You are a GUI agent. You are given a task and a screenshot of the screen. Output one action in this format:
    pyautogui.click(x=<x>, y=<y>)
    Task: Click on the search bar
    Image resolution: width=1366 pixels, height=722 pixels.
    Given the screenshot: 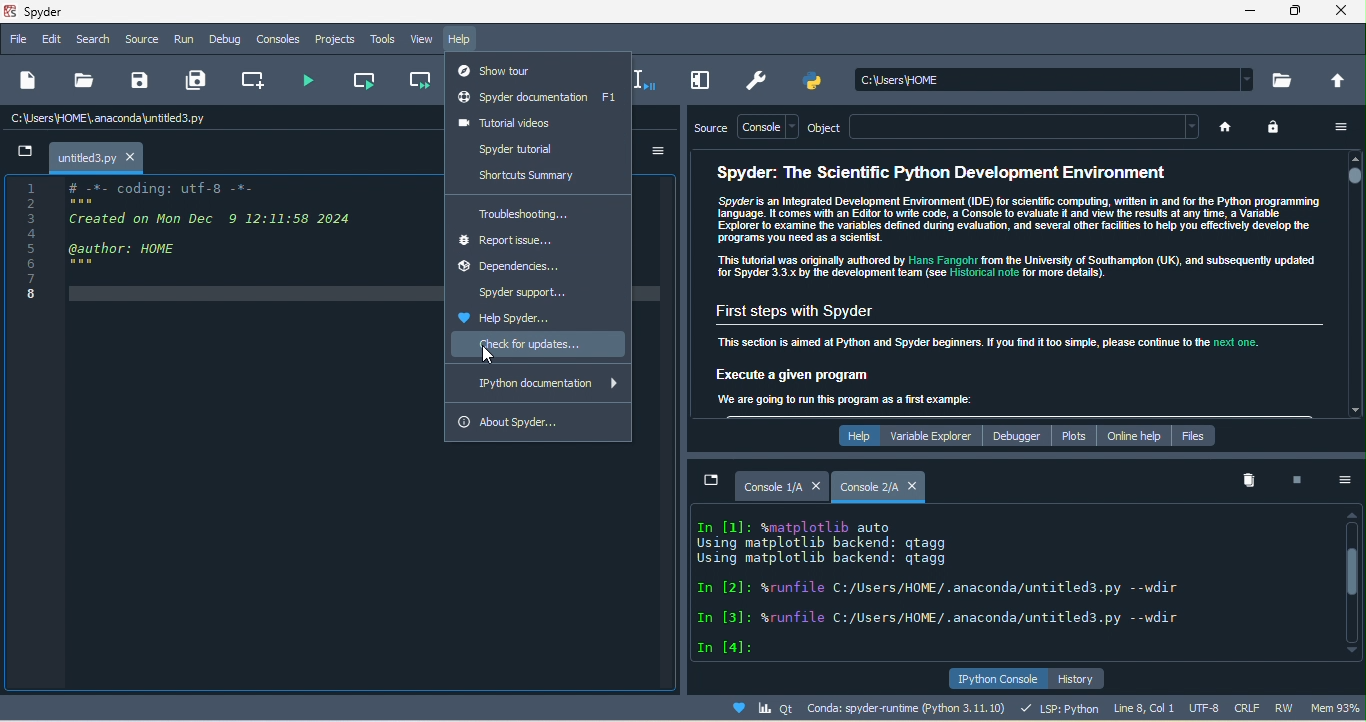 What is the action you would take?
    pyautogui.click(x=1058, y=78)
    